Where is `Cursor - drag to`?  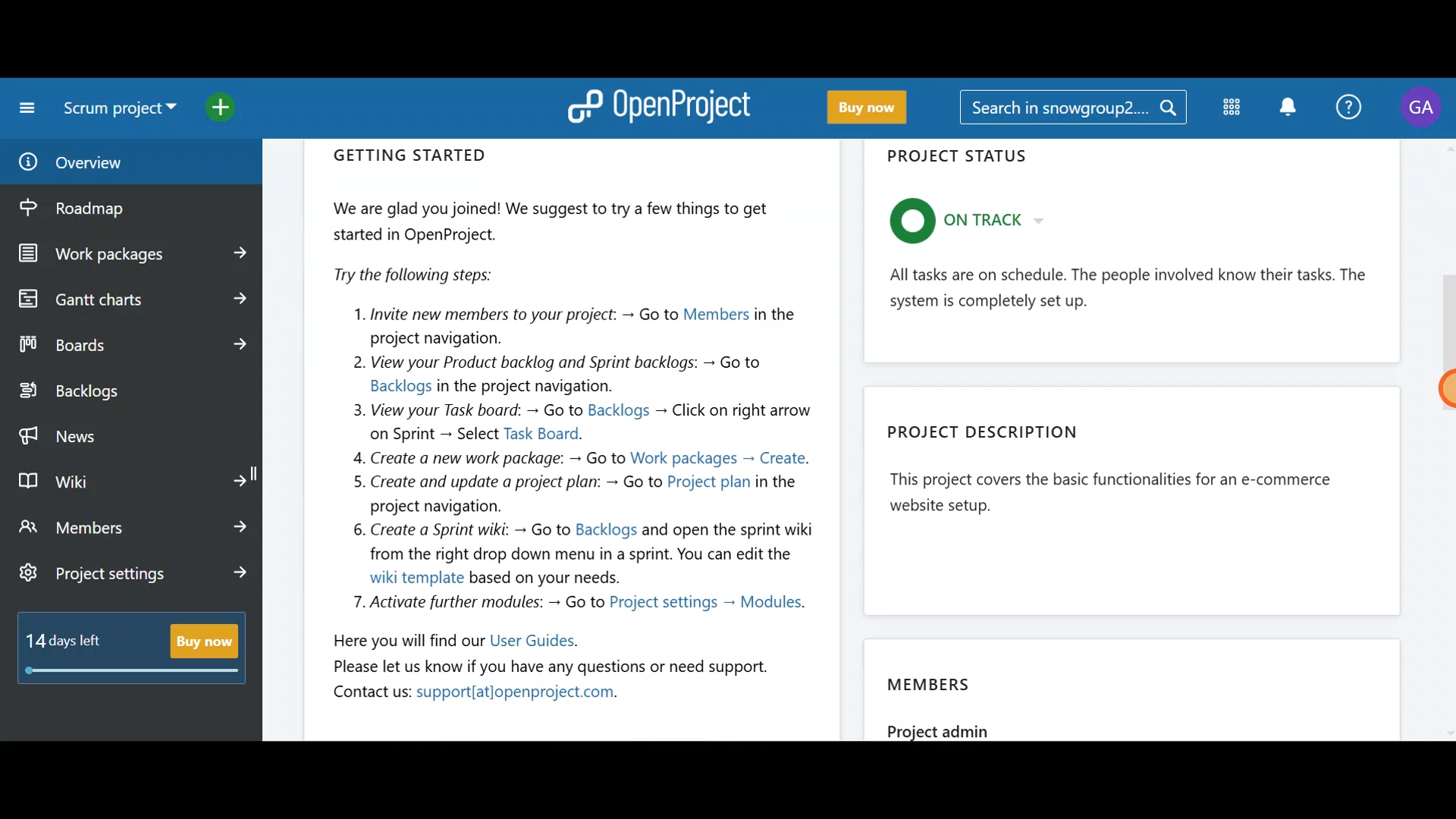 Cursor - drag to is located at coordinates (1441, 391).